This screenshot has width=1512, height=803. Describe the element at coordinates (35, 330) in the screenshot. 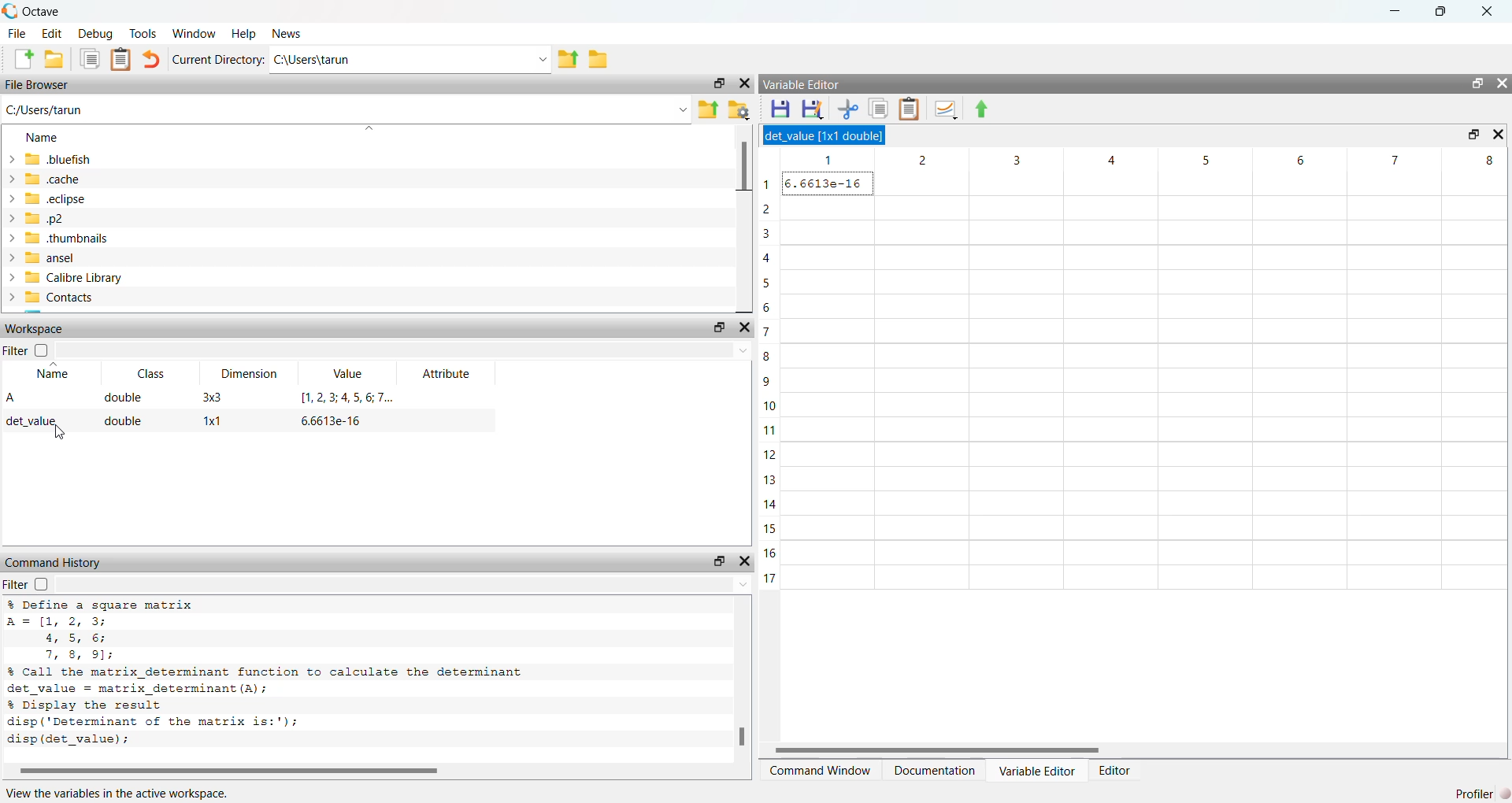

I see `workspace` at that location.